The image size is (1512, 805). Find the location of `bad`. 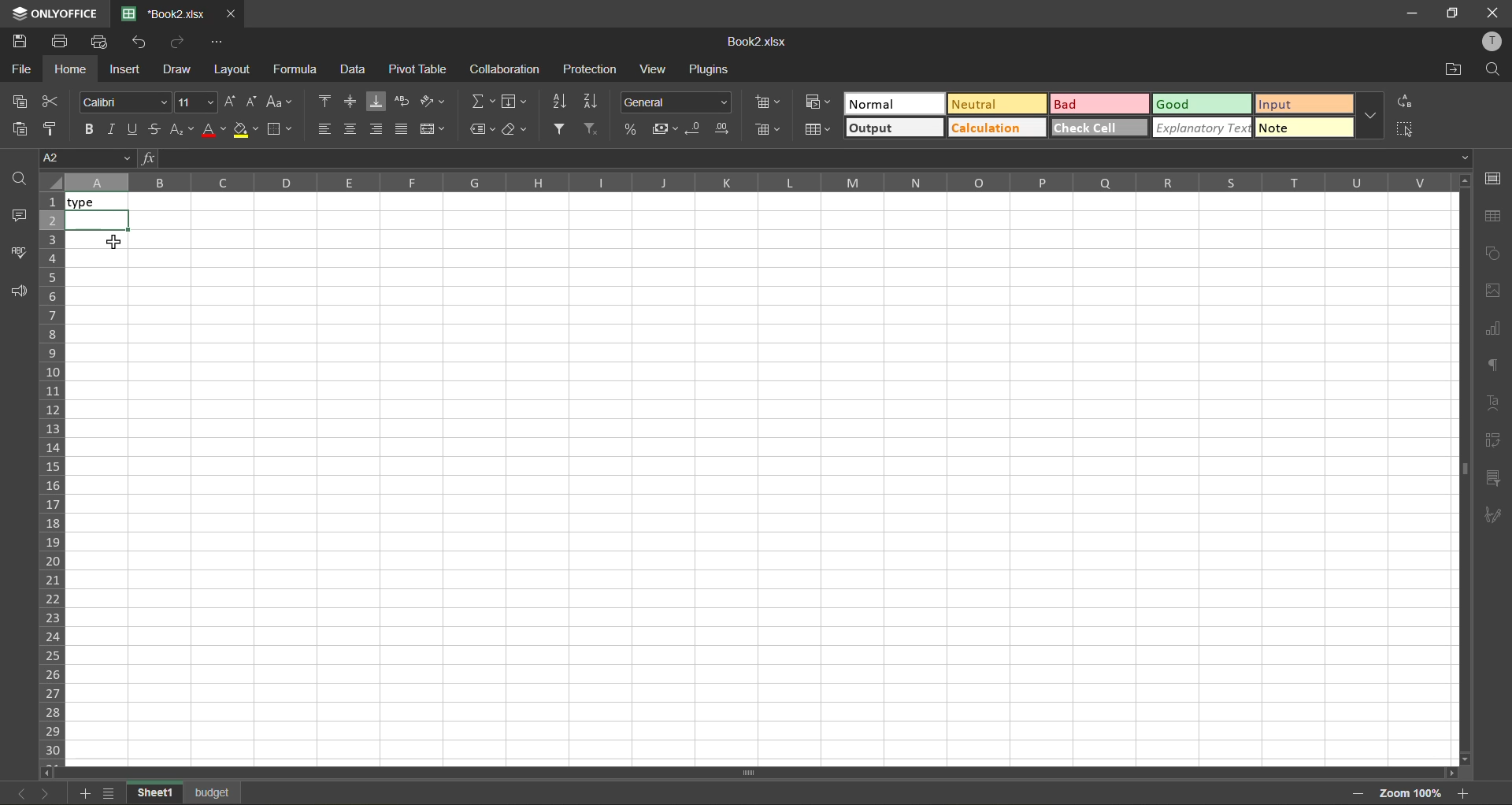

bad is located at coordinates (1096, 103).